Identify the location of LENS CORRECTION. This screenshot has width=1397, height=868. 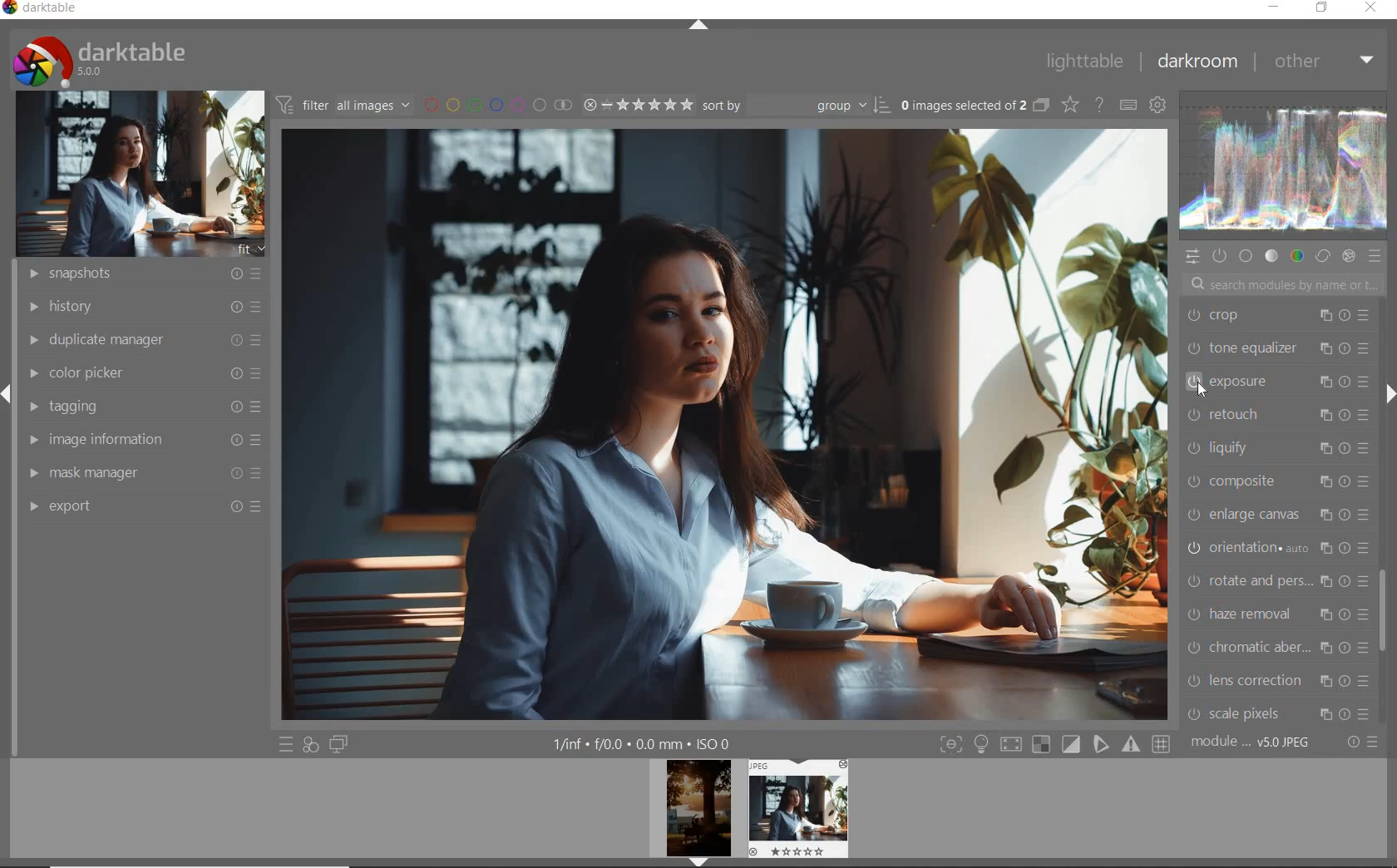
(1278, 679).